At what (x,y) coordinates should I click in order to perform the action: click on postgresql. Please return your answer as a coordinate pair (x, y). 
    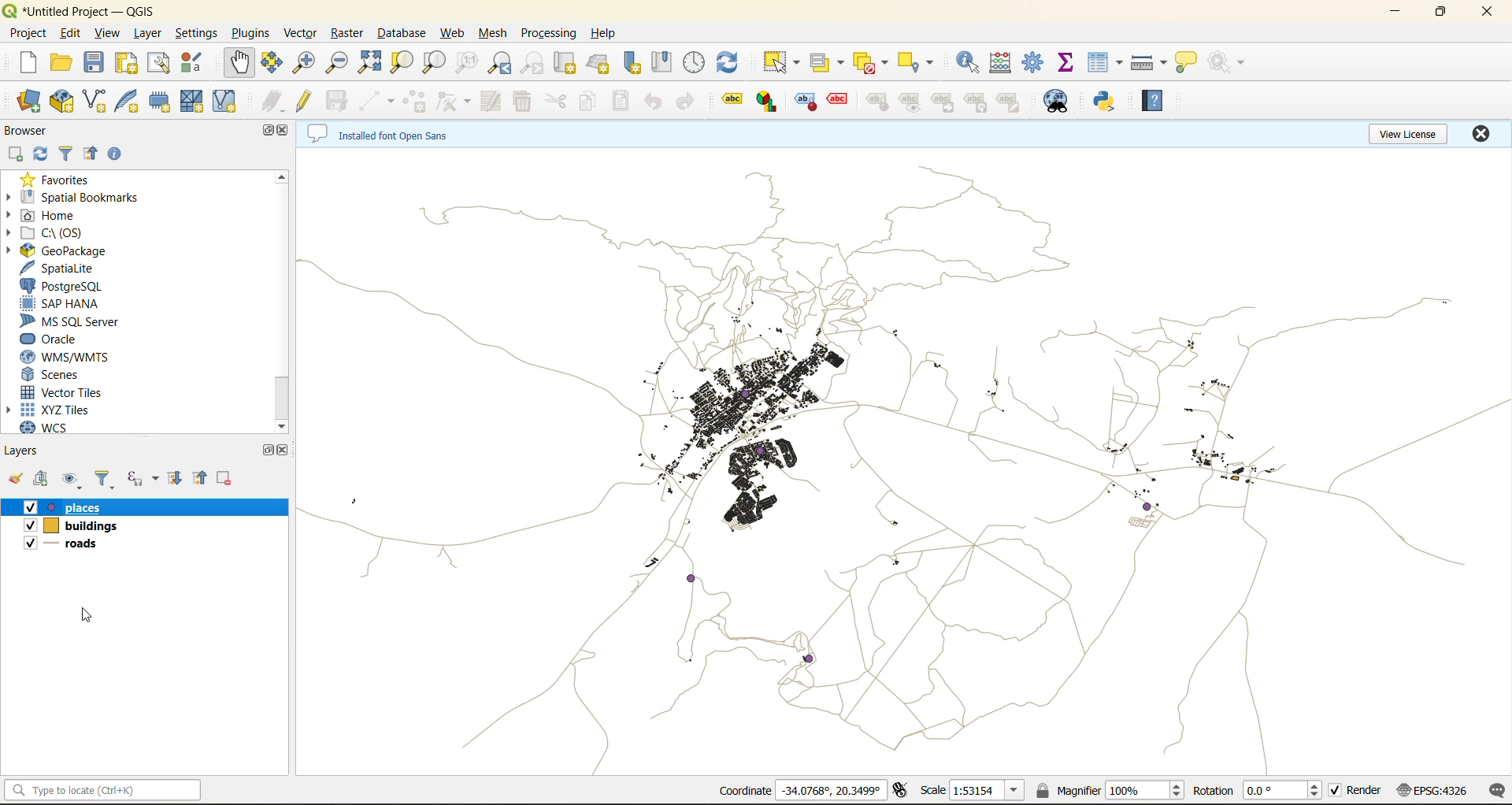
    Looking at the image, I should click on (61, 287).